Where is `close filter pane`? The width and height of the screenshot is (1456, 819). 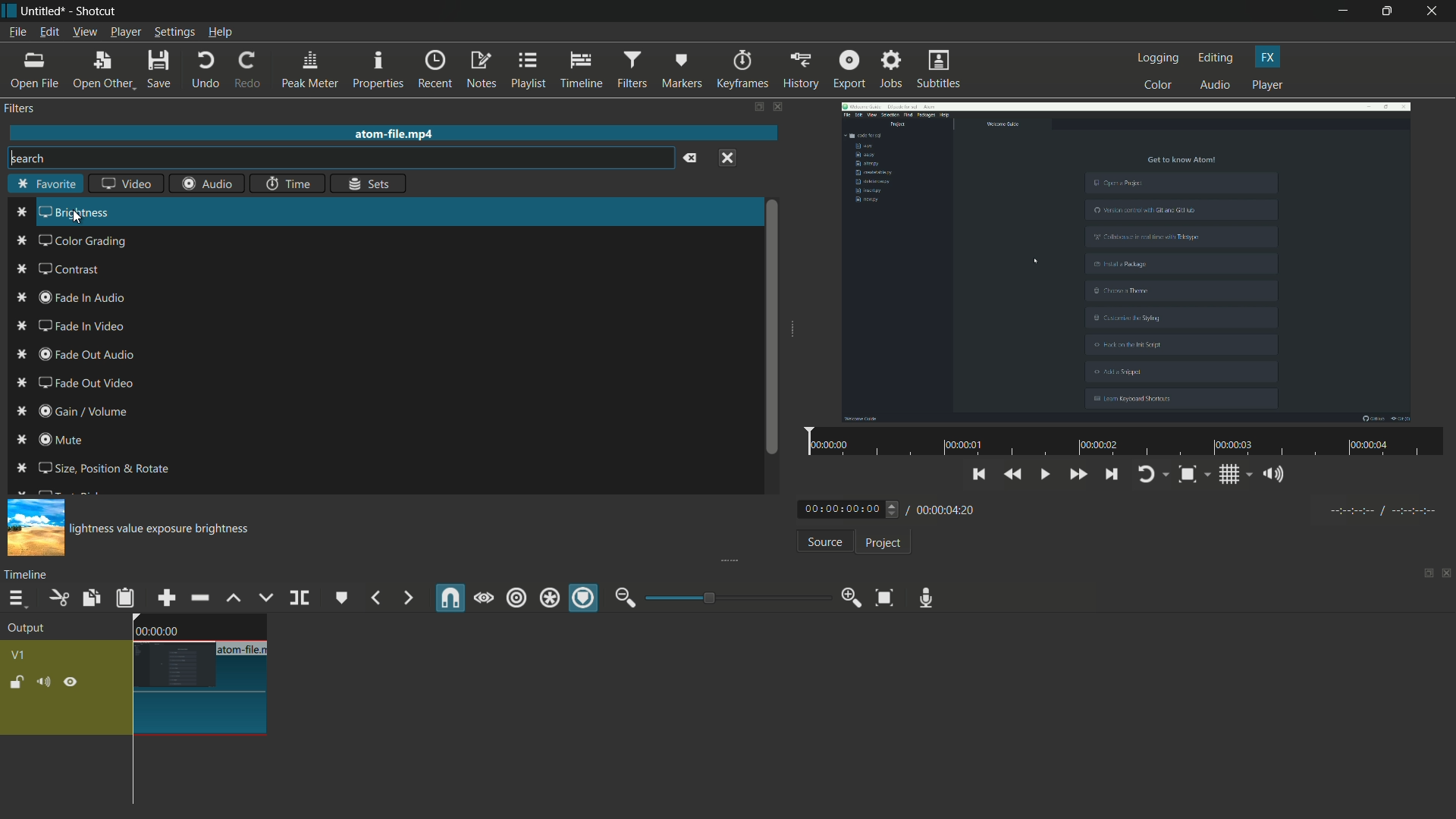 close filter pane is located at coordinates (780, 108).